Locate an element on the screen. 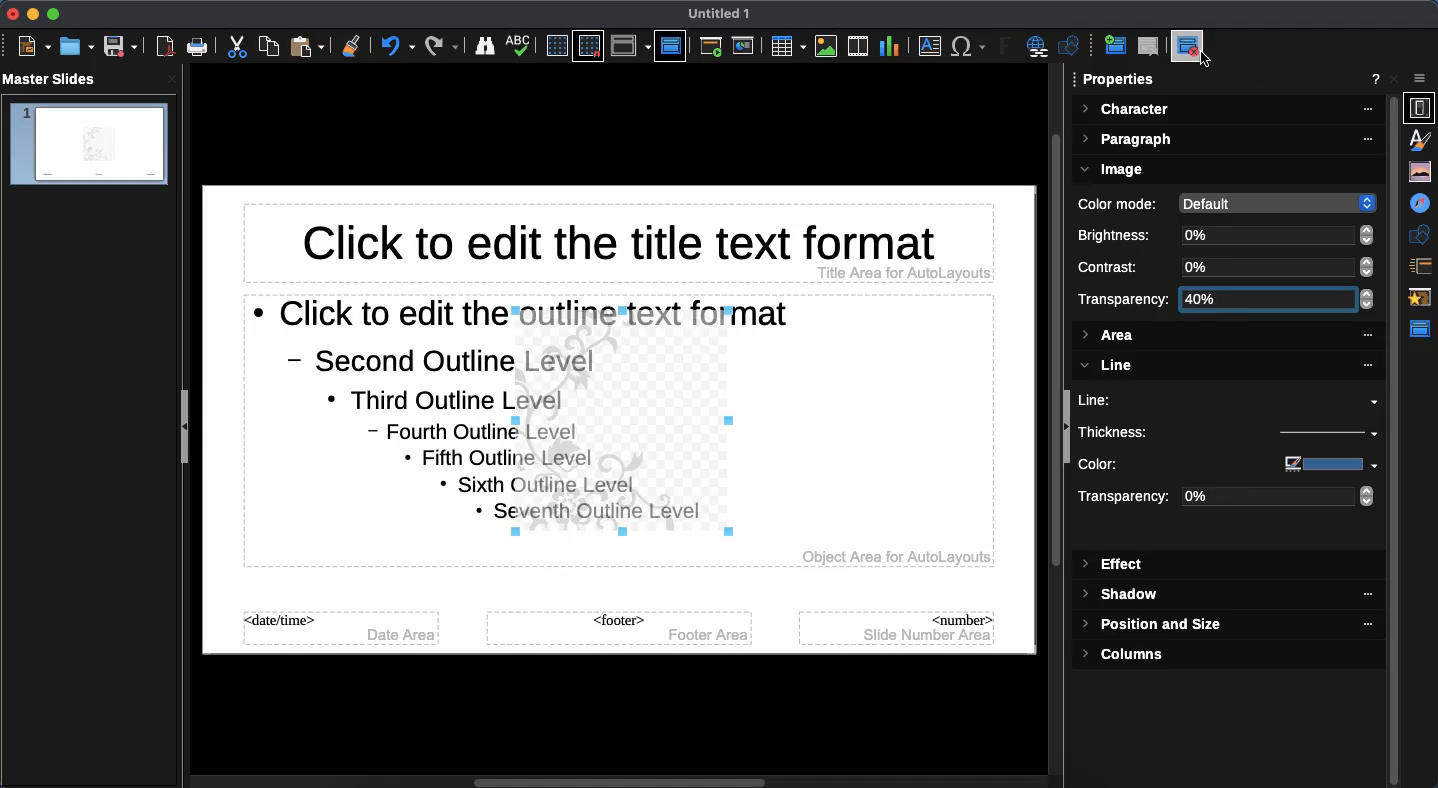 This screenshot has width=1438, height=788. color input is located at coordinates (1320, 464).